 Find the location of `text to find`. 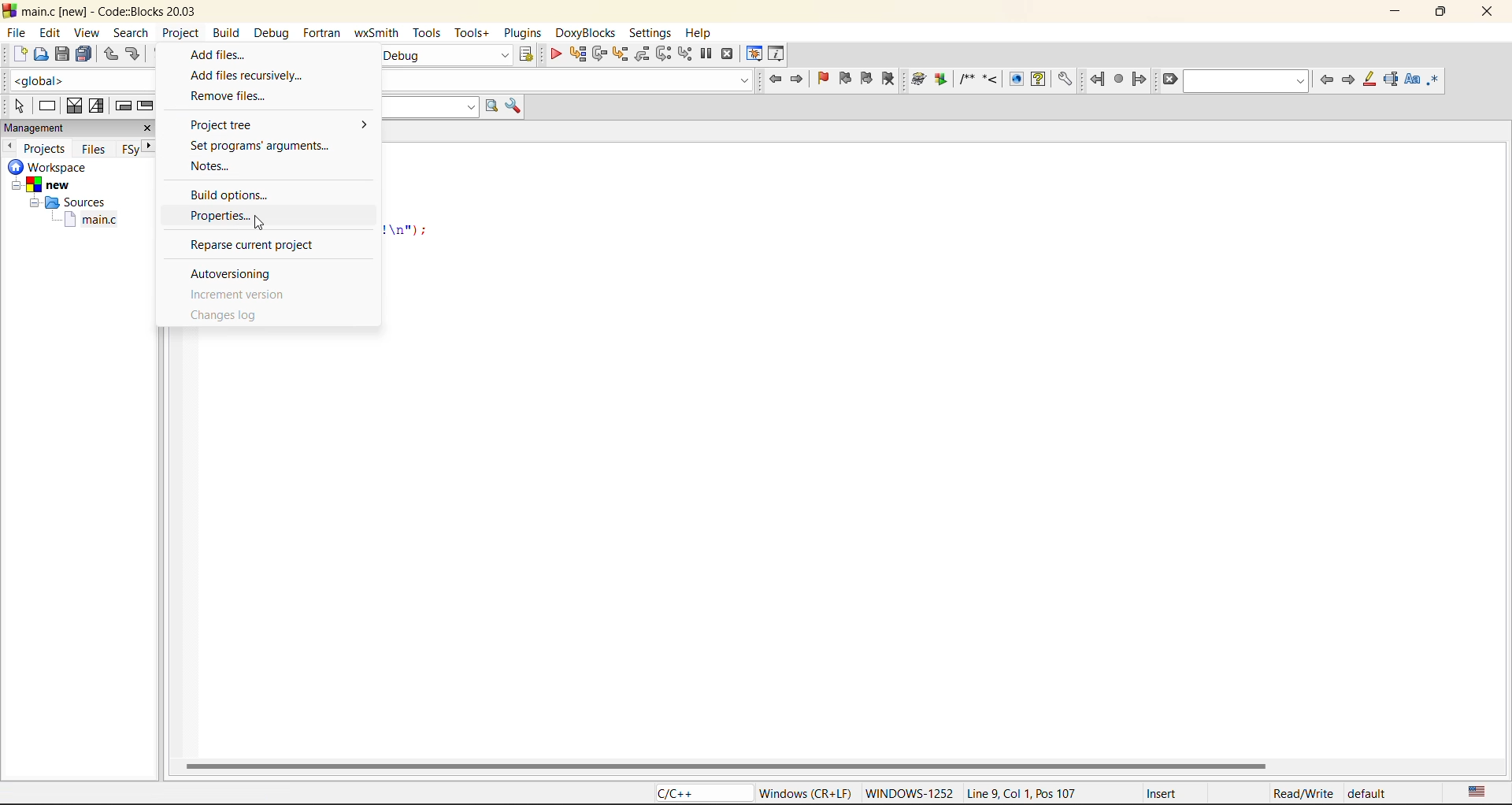

text to find is located at coordinates (1247, 81).